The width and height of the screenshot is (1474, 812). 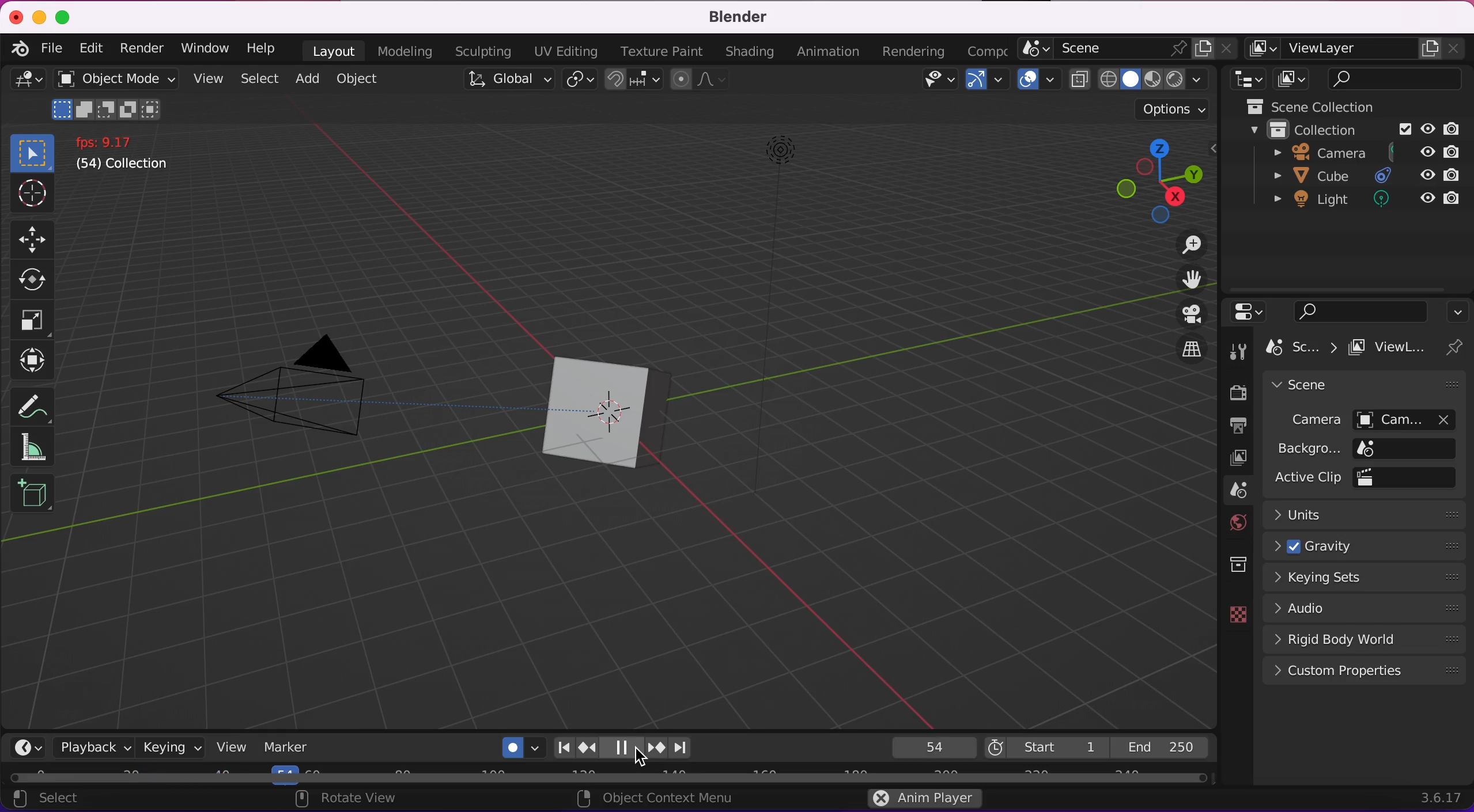 What do you see at coordinates (659, 52) in the screenshot?
I see `texture paint` at bounding box center [659, 52].